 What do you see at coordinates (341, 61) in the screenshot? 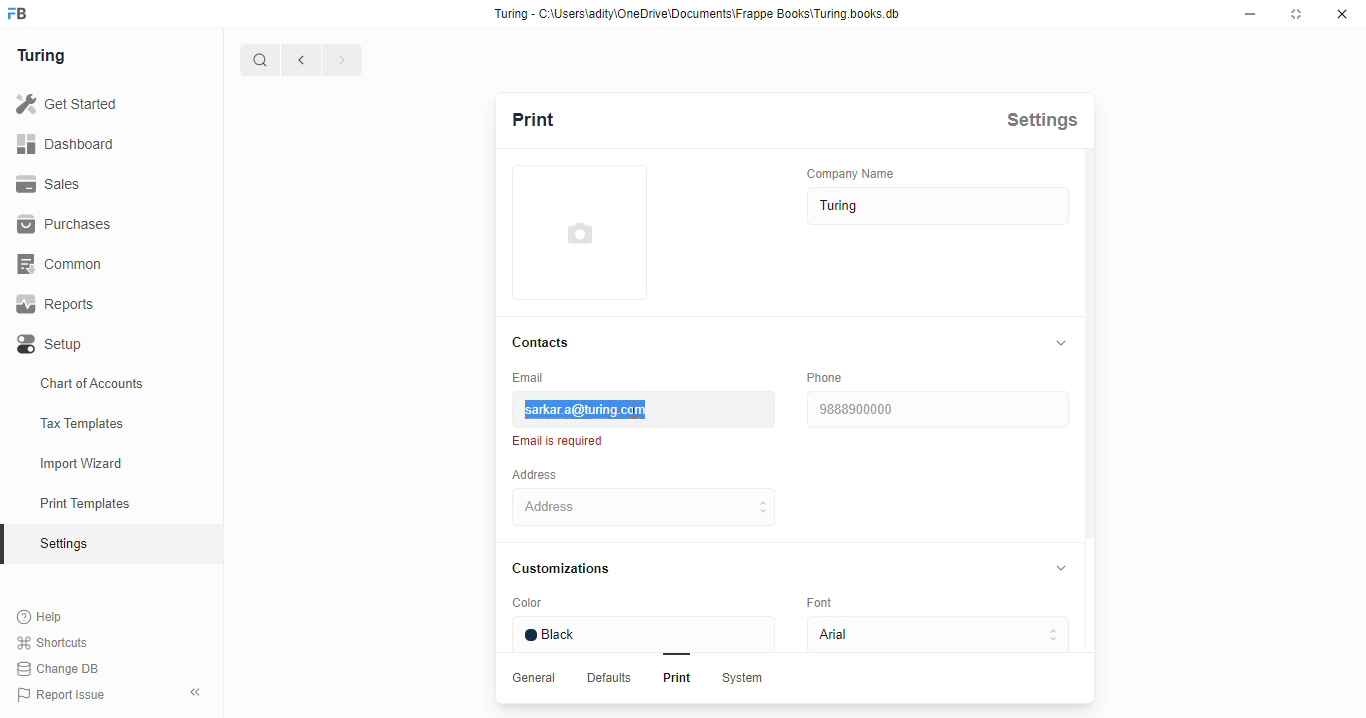
I see `forward` at bounding box center [341, 61].